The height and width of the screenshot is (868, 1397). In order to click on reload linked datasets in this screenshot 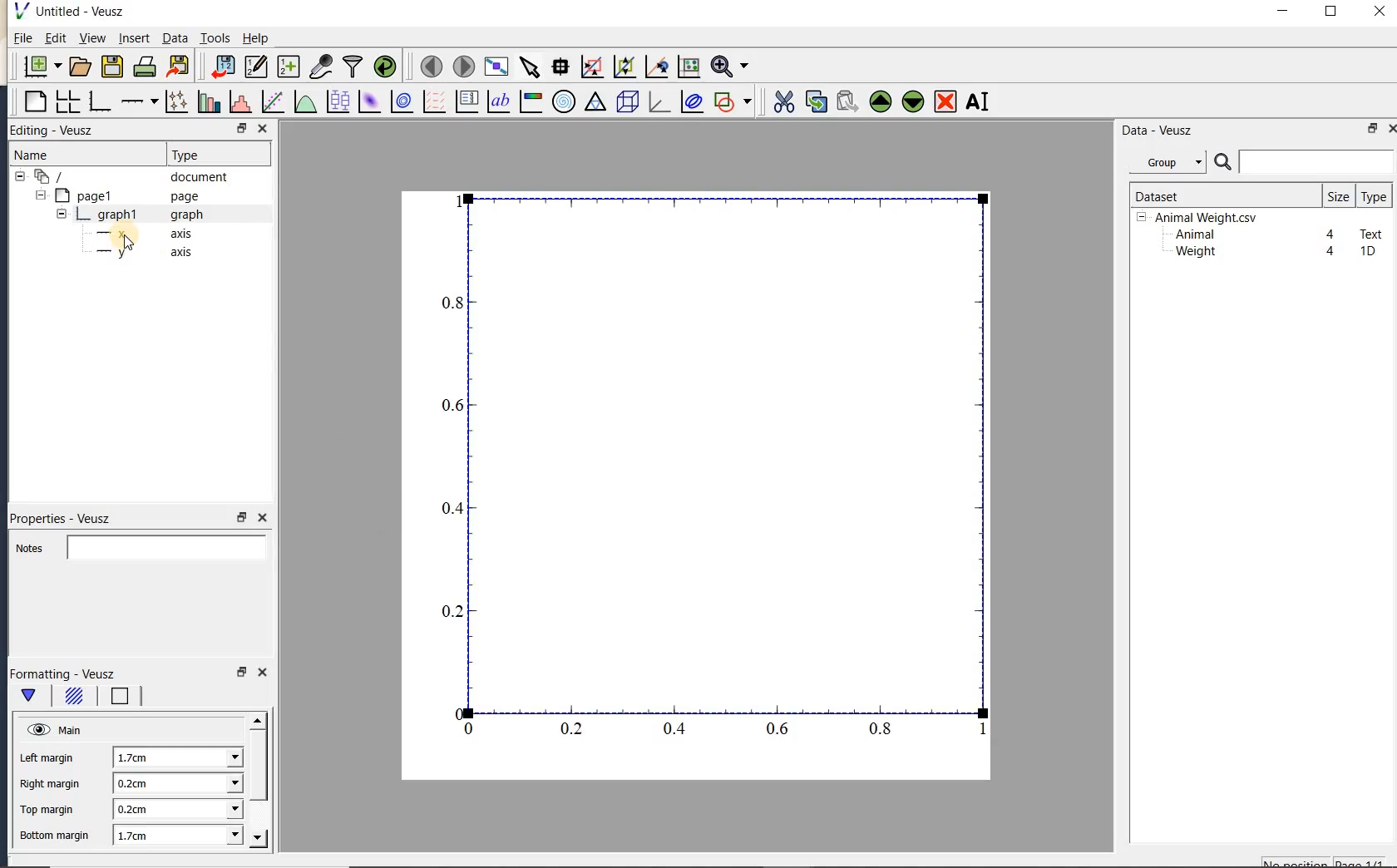, I will do `click(385, 65)`.